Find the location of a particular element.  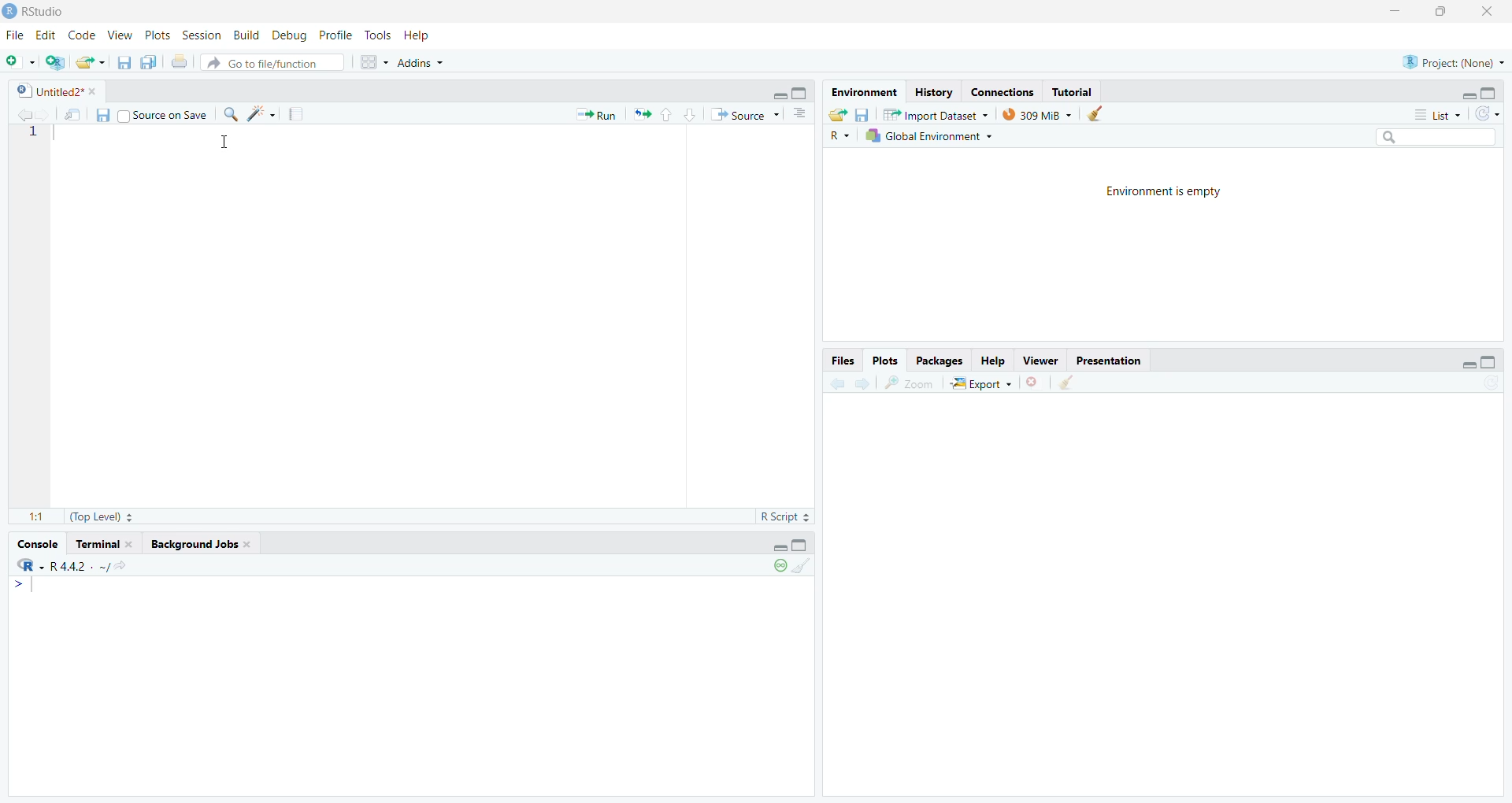

minimise is located at coordinates (779, 94).